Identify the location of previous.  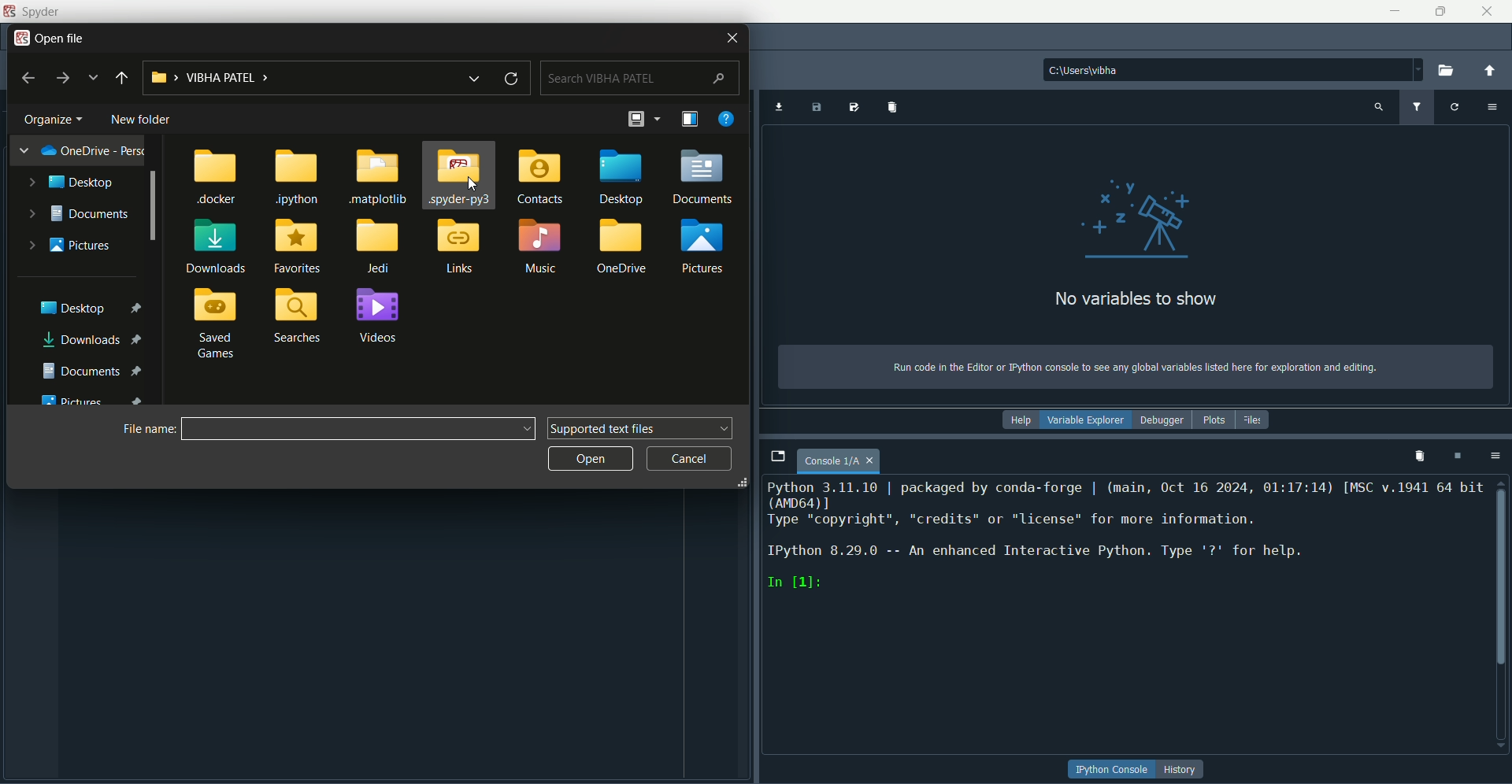
(121, 80).